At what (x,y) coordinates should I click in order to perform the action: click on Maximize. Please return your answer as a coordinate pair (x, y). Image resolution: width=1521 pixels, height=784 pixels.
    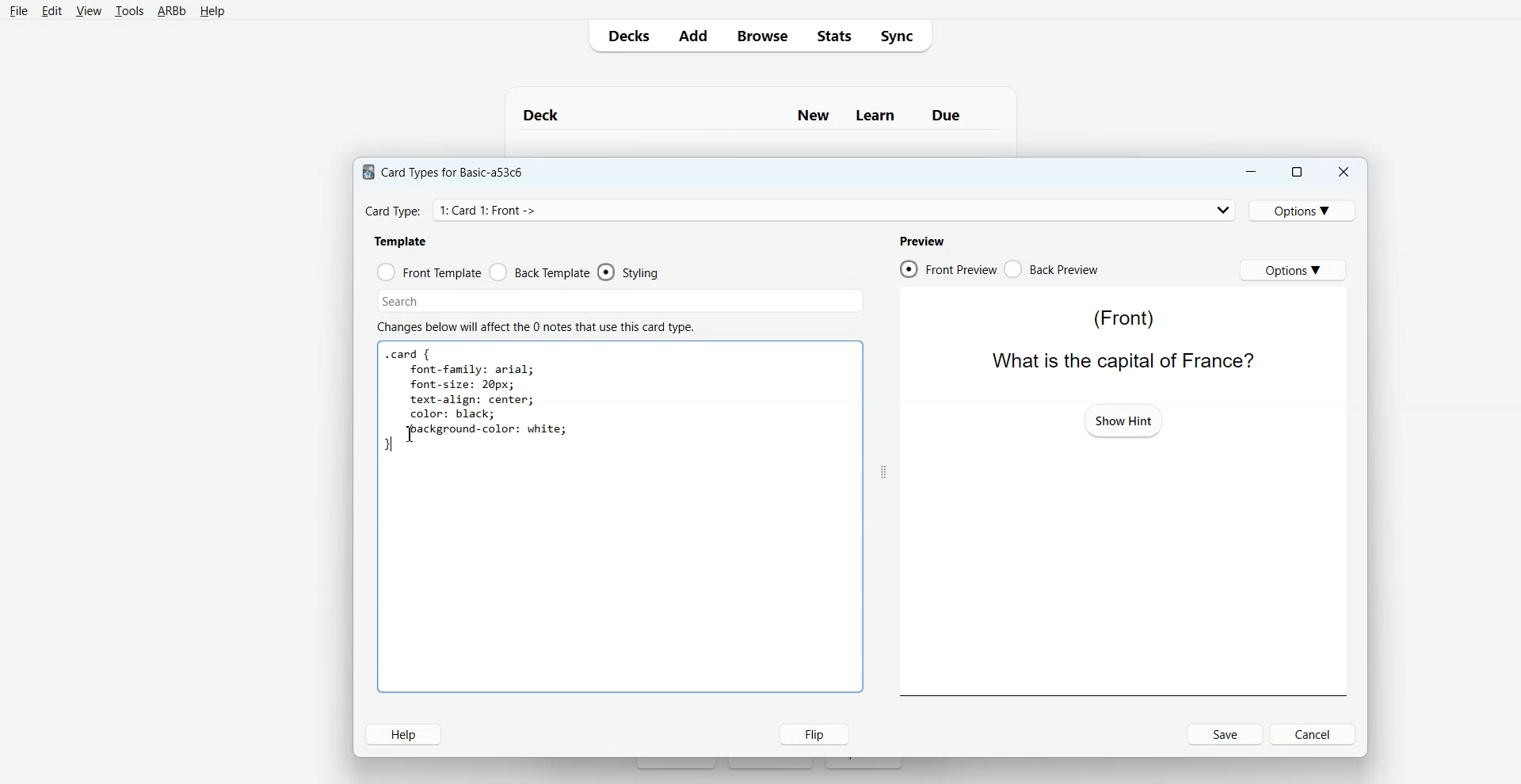
    Looking at the image, I should click on (1295, 172).